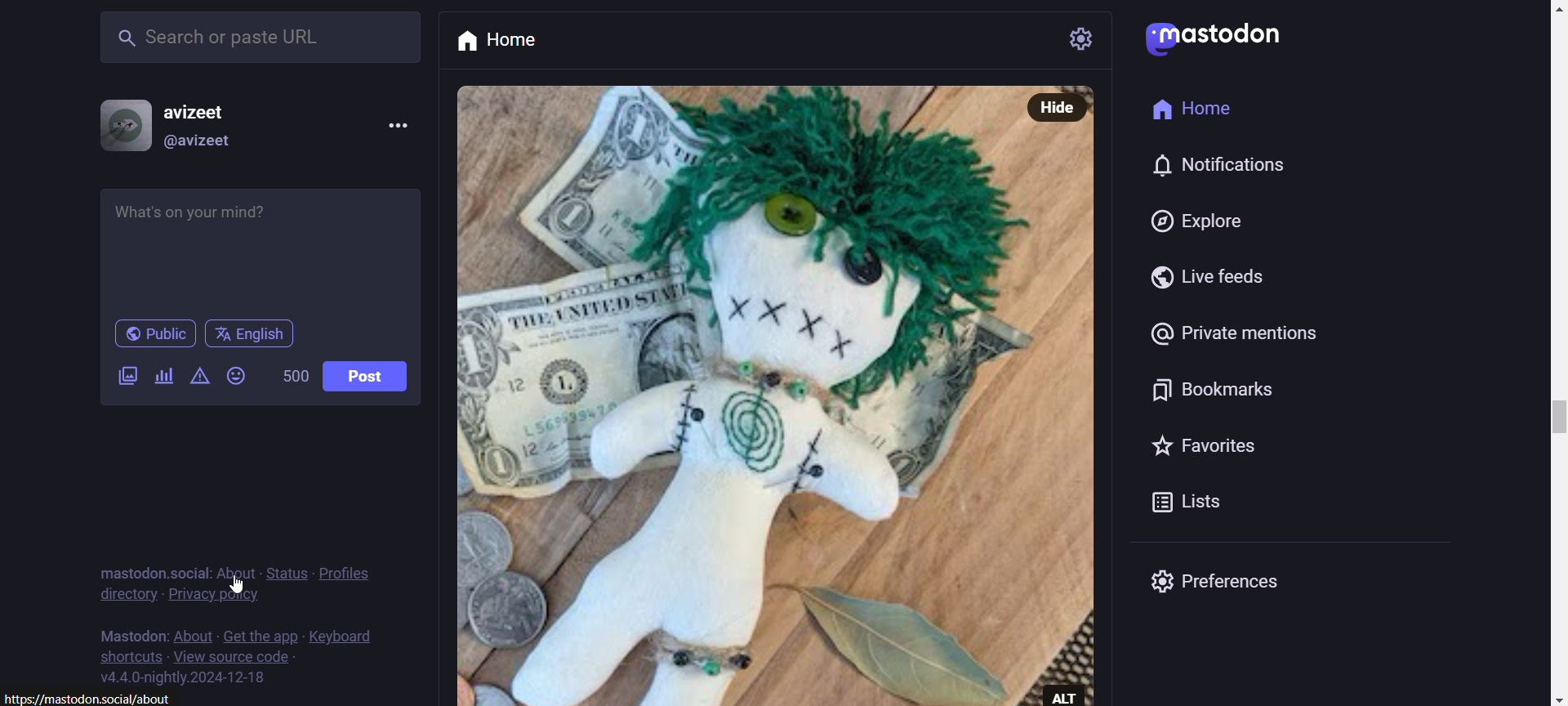 This screenshot has height=706, width=1568. Describe the element at coordinates (1143, 504) in the screenshot. I see `lists` at that location.